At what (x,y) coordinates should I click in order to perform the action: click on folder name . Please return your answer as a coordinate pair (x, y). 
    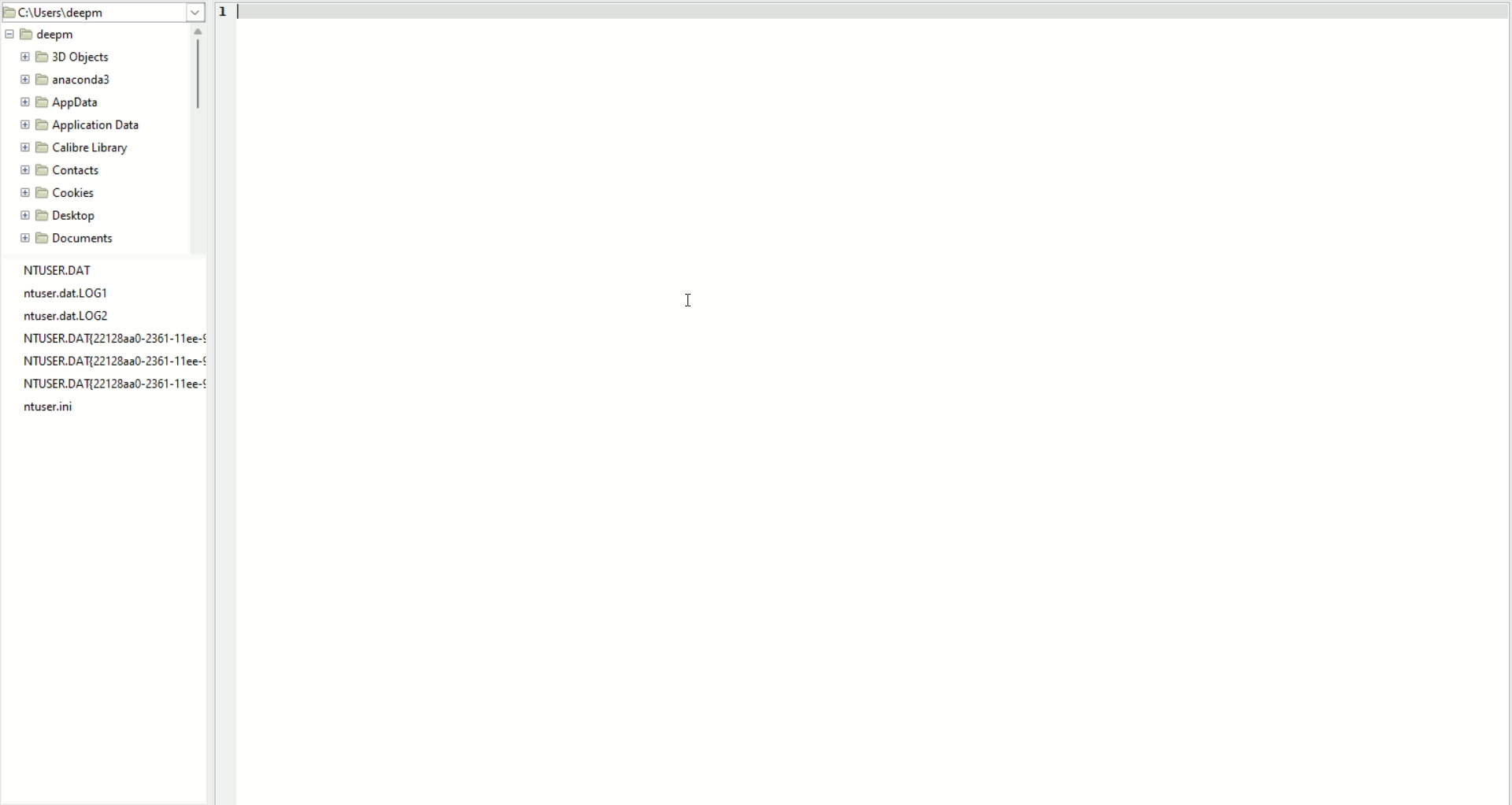
    Looking at the image, I should click on (76, 148).